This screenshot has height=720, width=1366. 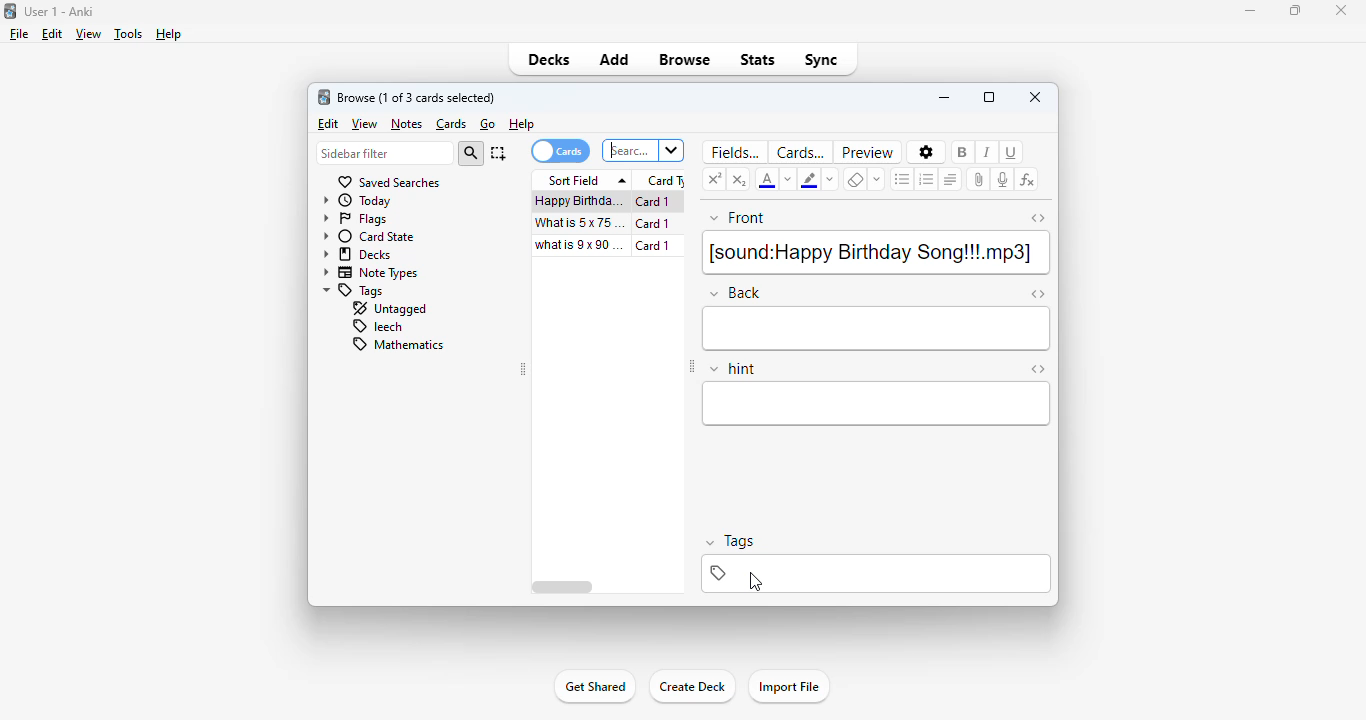 I want to click on subscript, so click(x=740, y=179).